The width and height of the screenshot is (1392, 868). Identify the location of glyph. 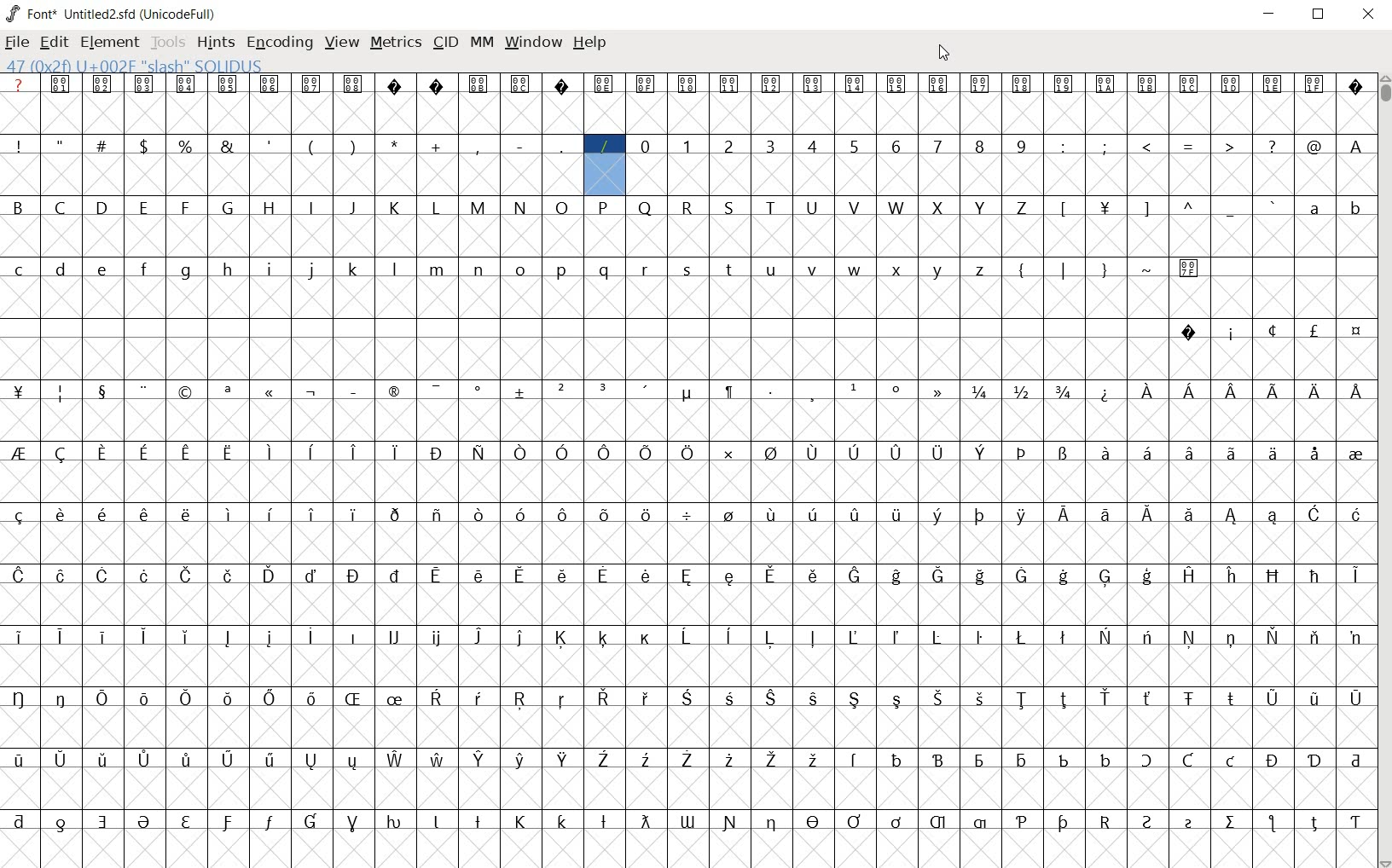
(603, 516).